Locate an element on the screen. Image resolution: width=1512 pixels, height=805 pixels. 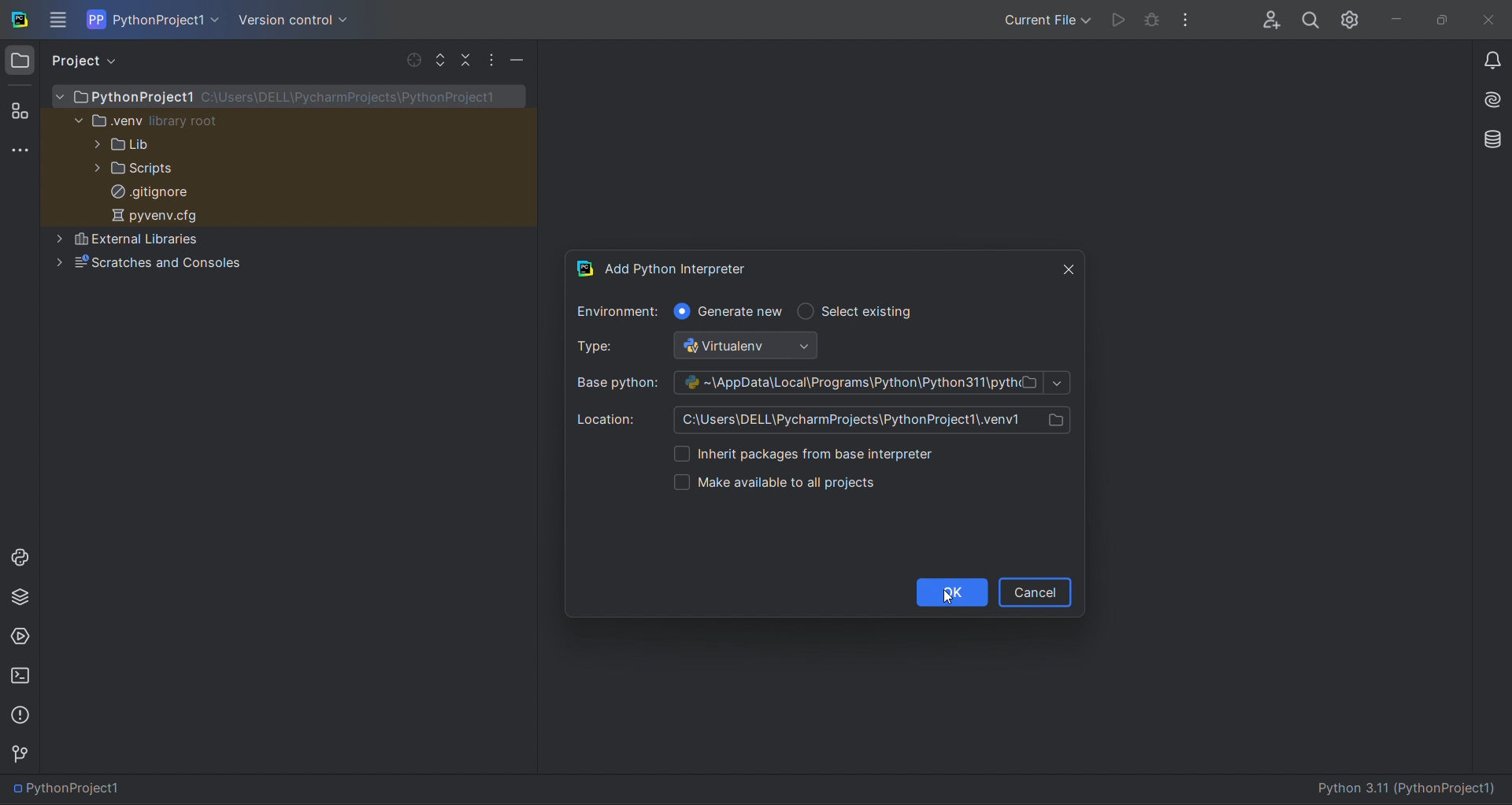
tab title is located at coordinates (802, 264).